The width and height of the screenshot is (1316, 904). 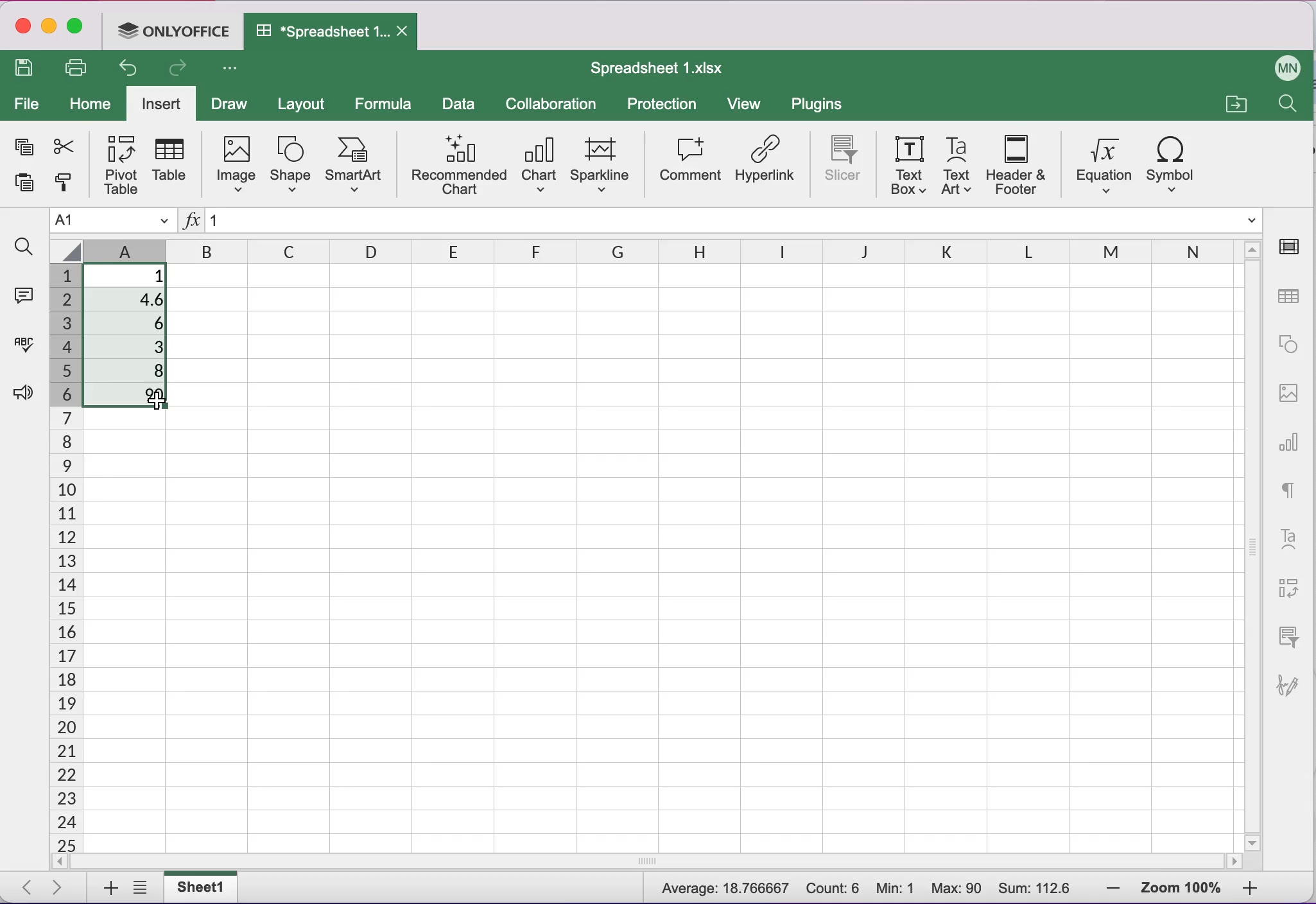 What do you see at coordinates (1016, 165) in the screenshot?
I see `header and footer` at bounding box center [1016, 165].